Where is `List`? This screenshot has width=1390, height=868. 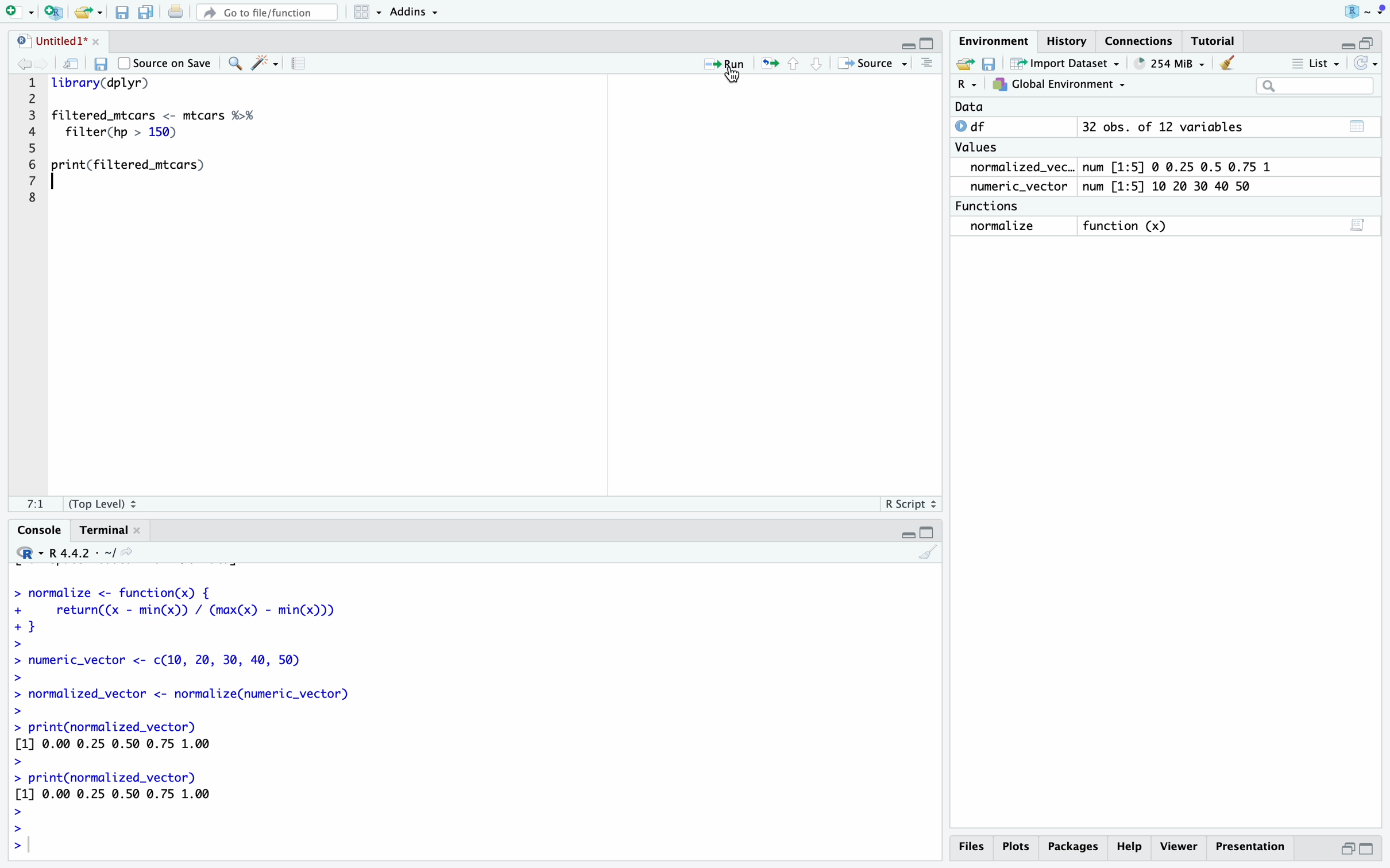
List is located at coordinates (1315, 65).